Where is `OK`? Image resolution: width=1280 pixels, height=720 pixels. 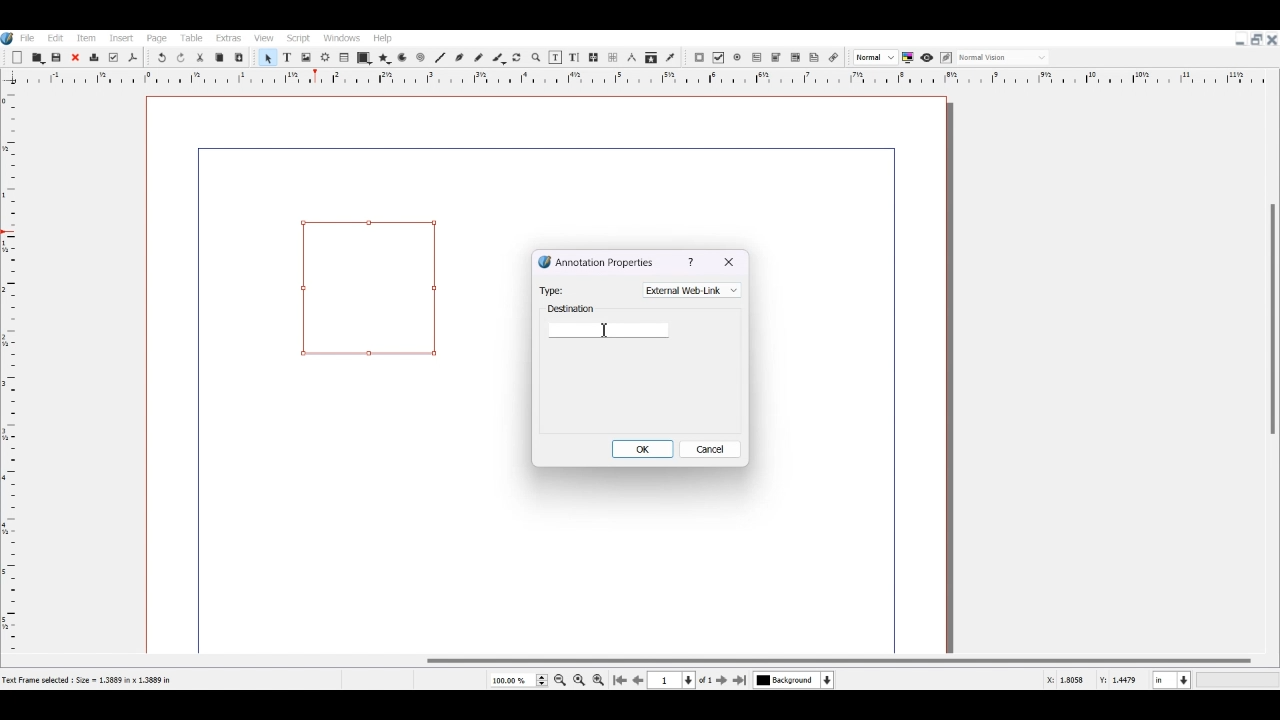 OK is located at coordinates (644, 448).